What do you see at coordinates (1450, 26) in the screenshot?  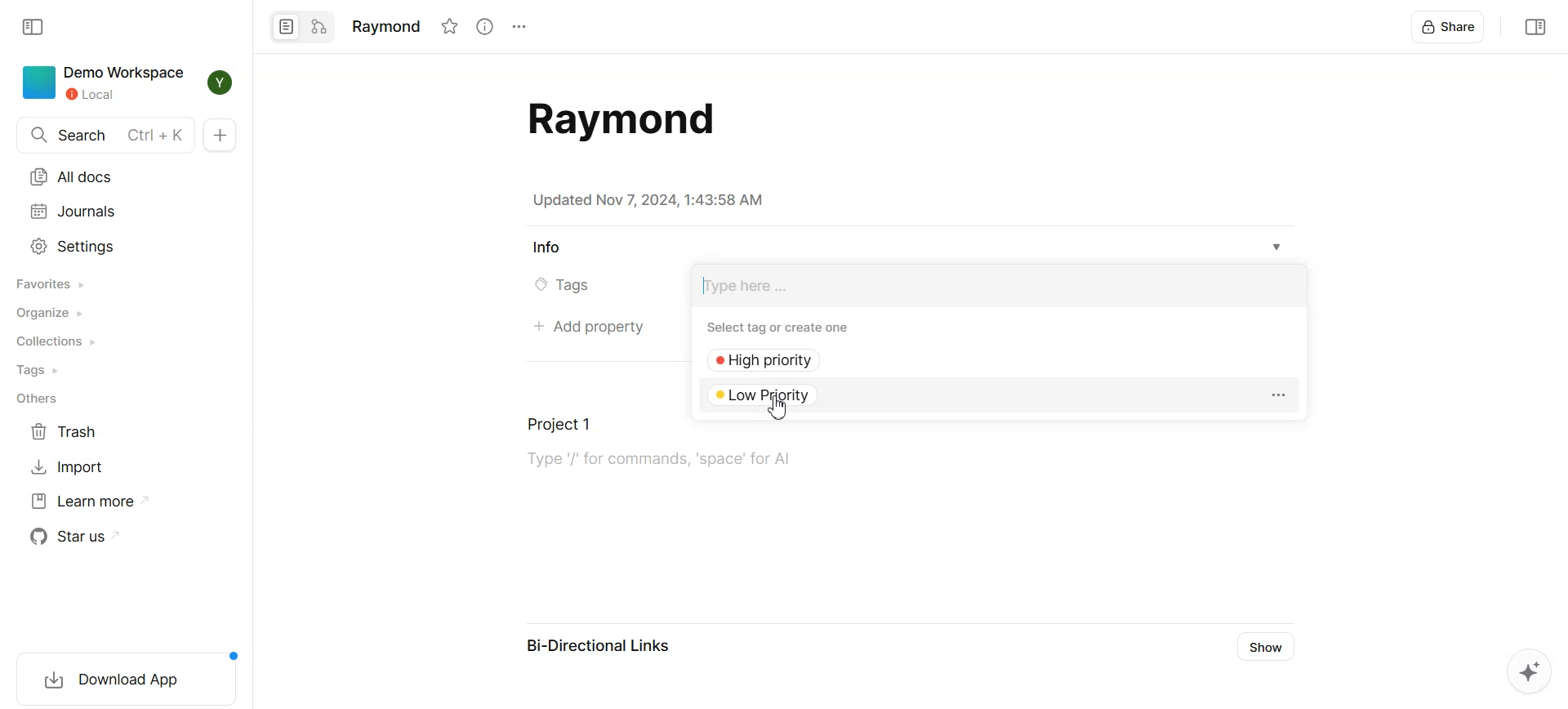 I see `Share` at bounding box center [1450, 26].